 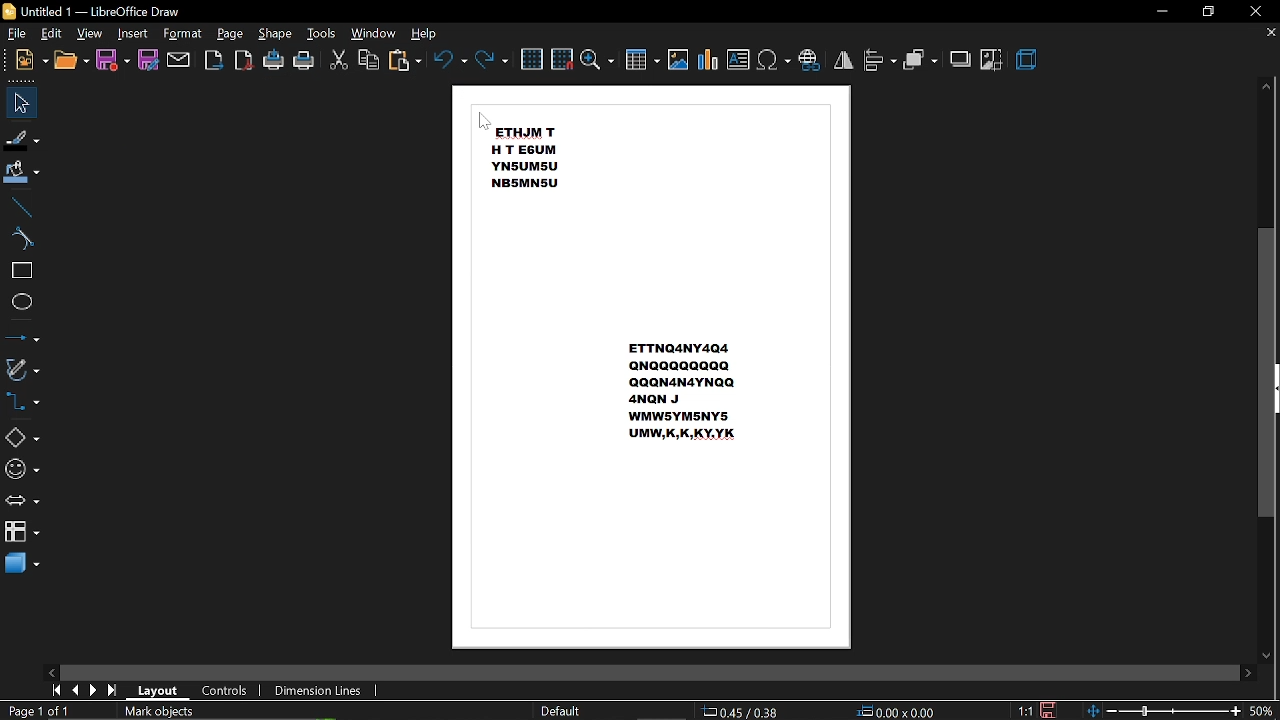 What do you see at coordinates (1054, 710) in the screenshot?
I see `Save` at bounding box center [1054, 710].